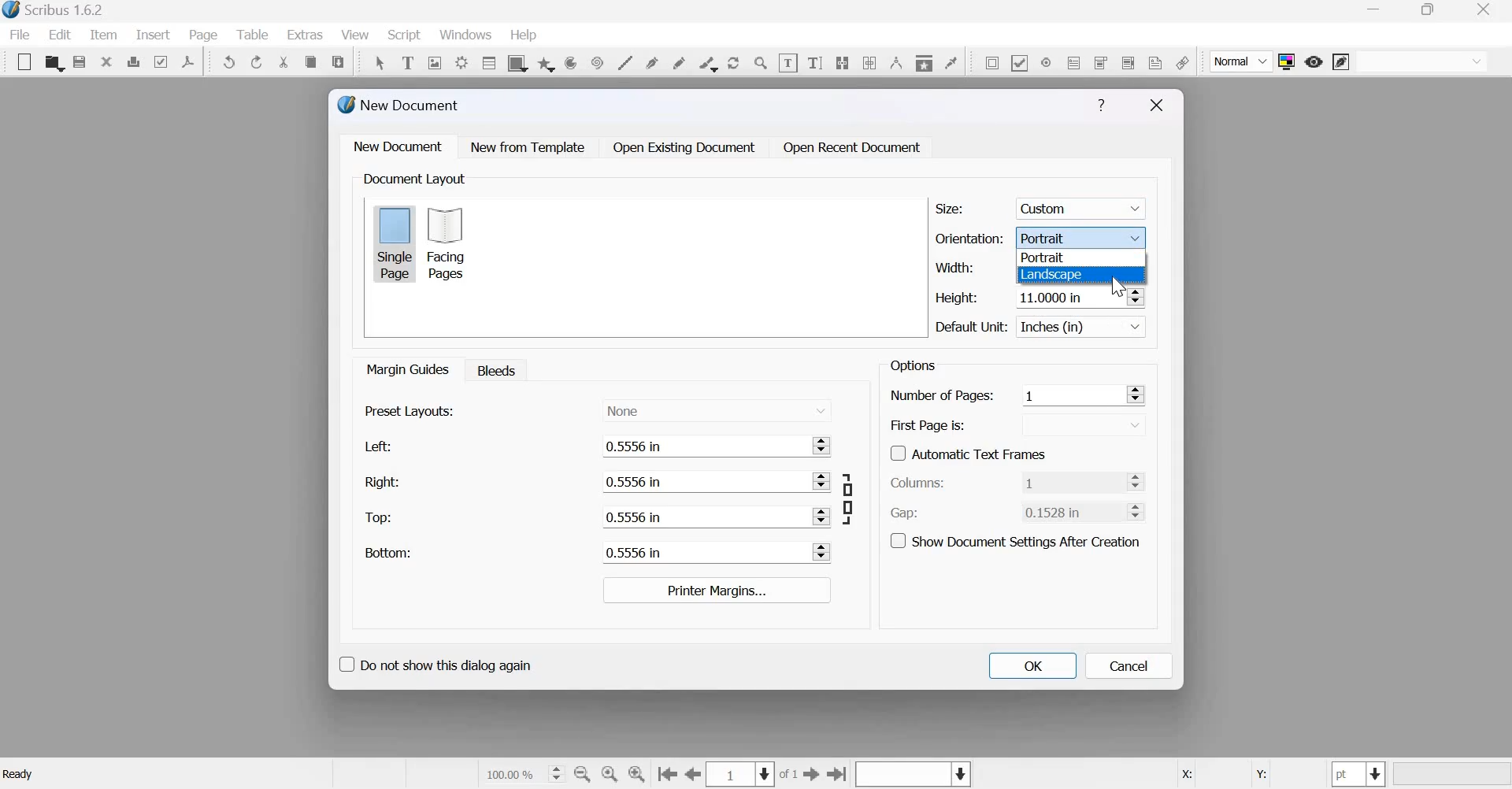 This screenshot has height=789, width=1512. Describe the element at coordinates (1015, 539) in the screenshot. I see `Show document settings after creation` at that location.